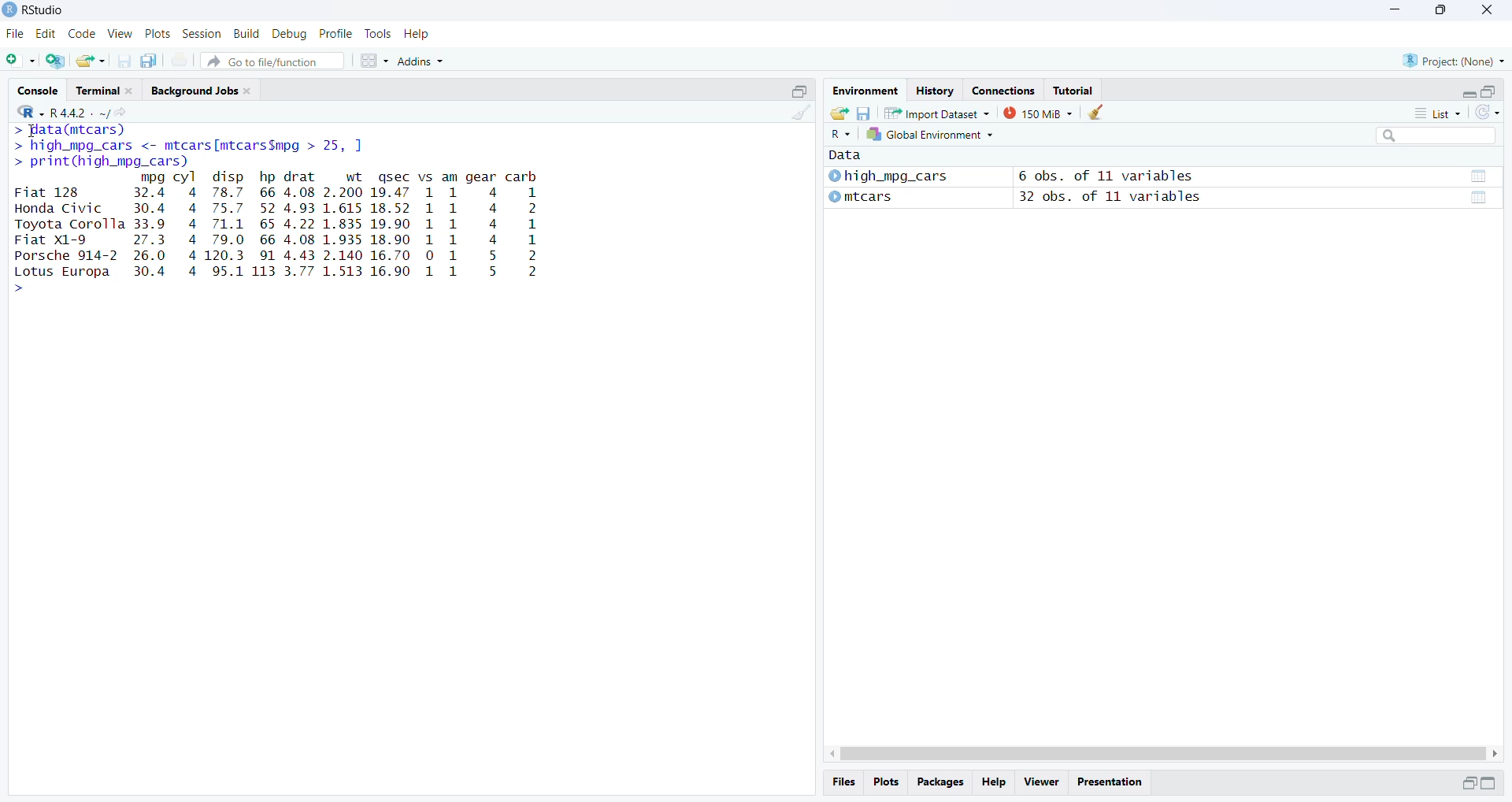  What do you see at coordinates (102, 162) in the screenshot?
I see `print(high_mpg_cars)` at bounding box center [102, 162].